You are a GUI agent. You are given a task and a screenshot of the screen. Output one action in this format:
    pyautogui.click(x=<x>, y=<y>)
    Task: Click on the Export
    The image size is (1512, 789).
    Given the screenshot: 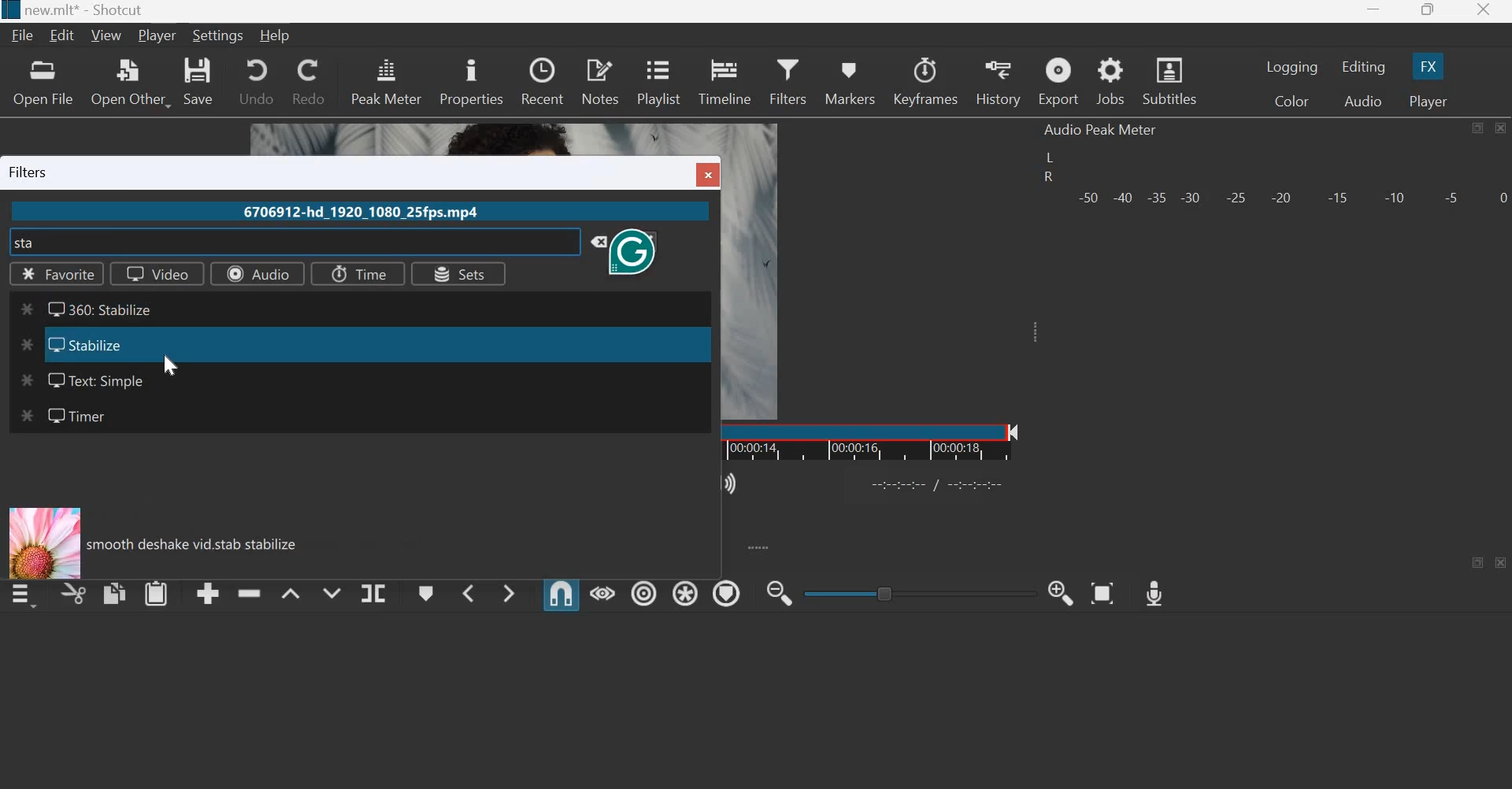 What is the action you would take?
    pyautogui.click(x=1058, y=81)
    